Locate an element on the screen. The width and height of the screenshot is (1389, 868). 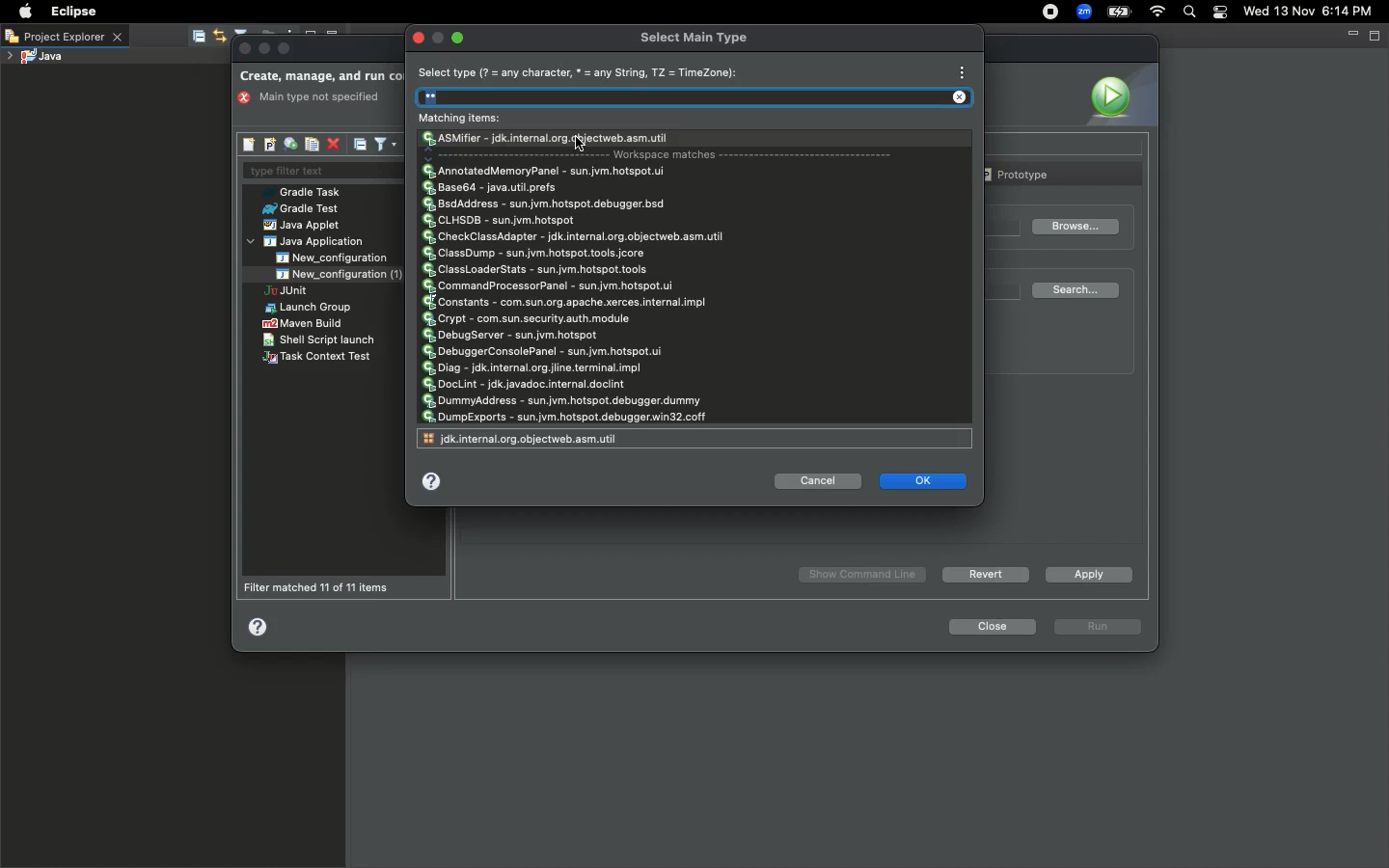
Apply is located at coordinates (1085, 574).